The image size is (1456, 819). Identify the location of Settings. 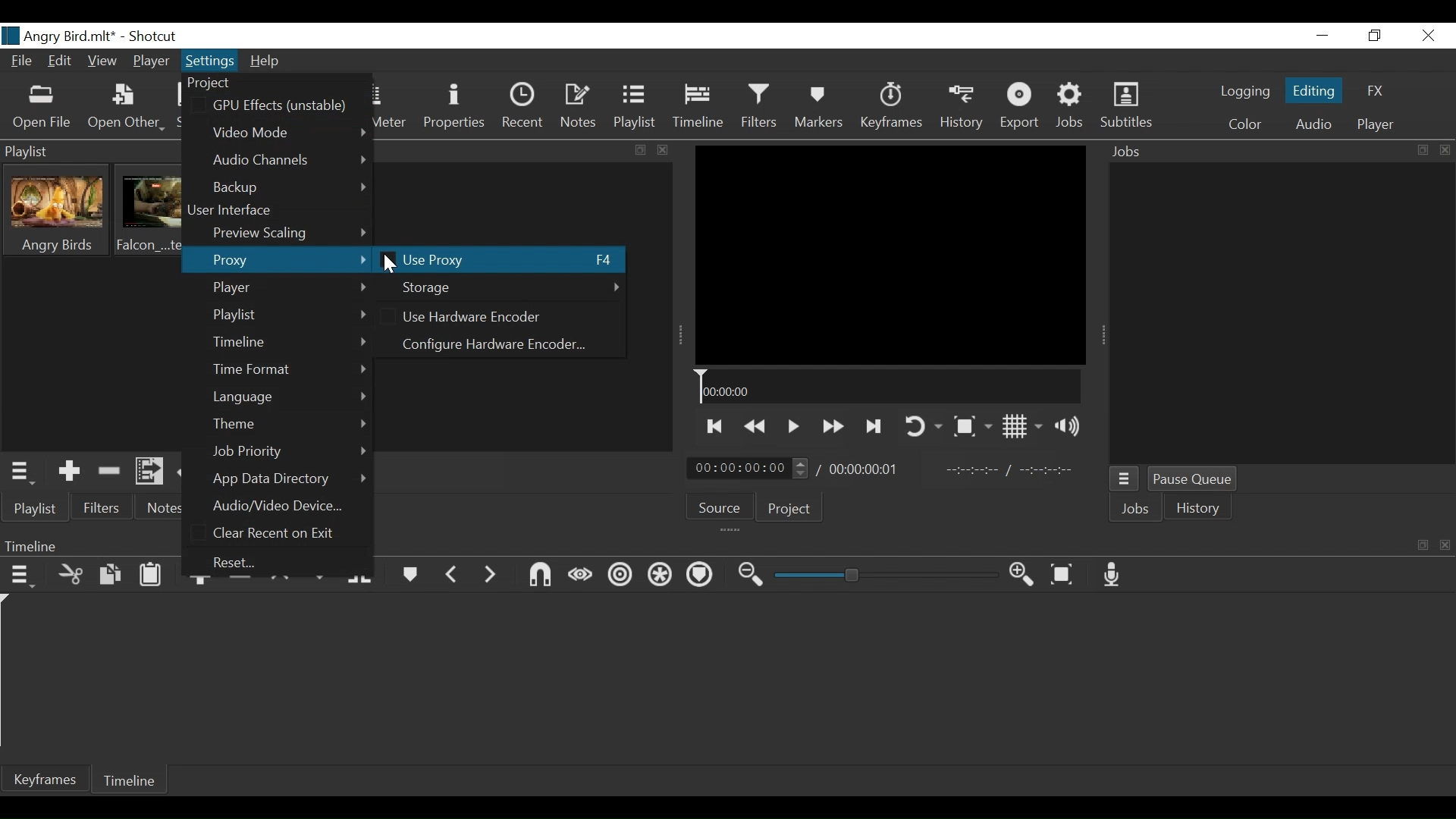
(210, 63).